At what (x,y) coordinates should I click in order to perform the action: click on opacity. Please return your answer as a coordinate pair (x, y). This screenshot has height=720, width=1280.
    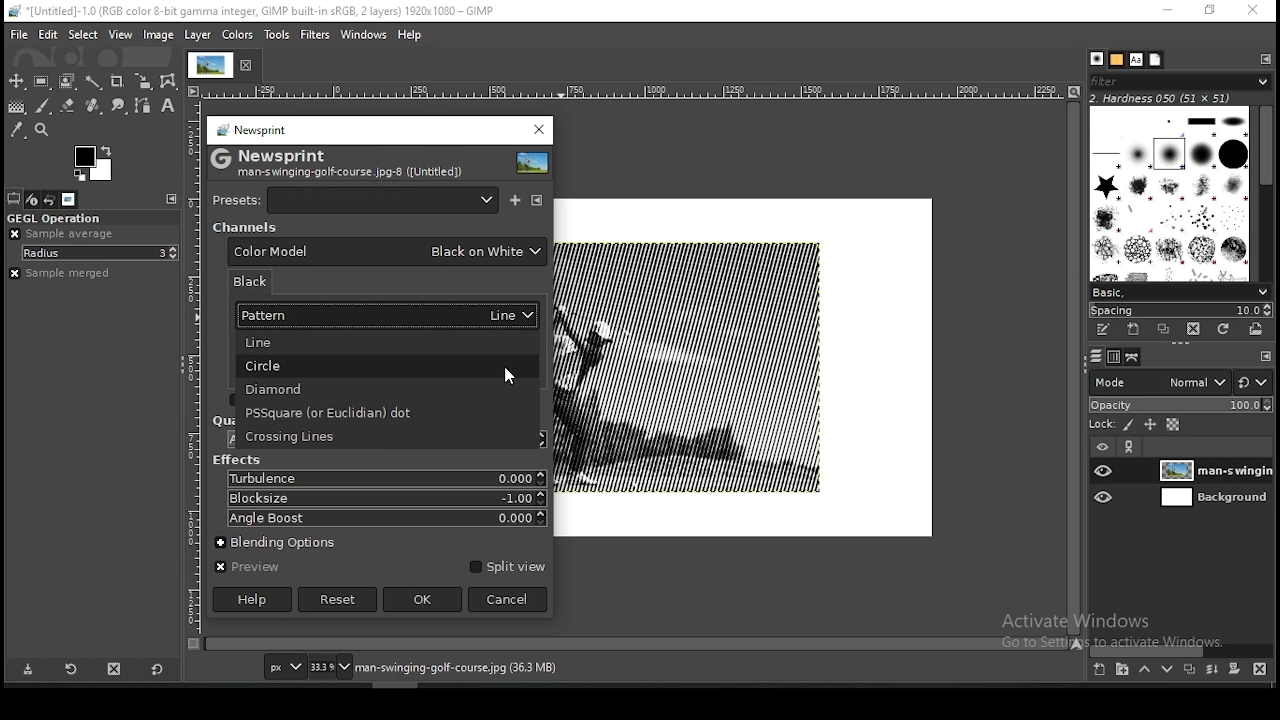
    Looking at the image, I should click on (1180, 404).